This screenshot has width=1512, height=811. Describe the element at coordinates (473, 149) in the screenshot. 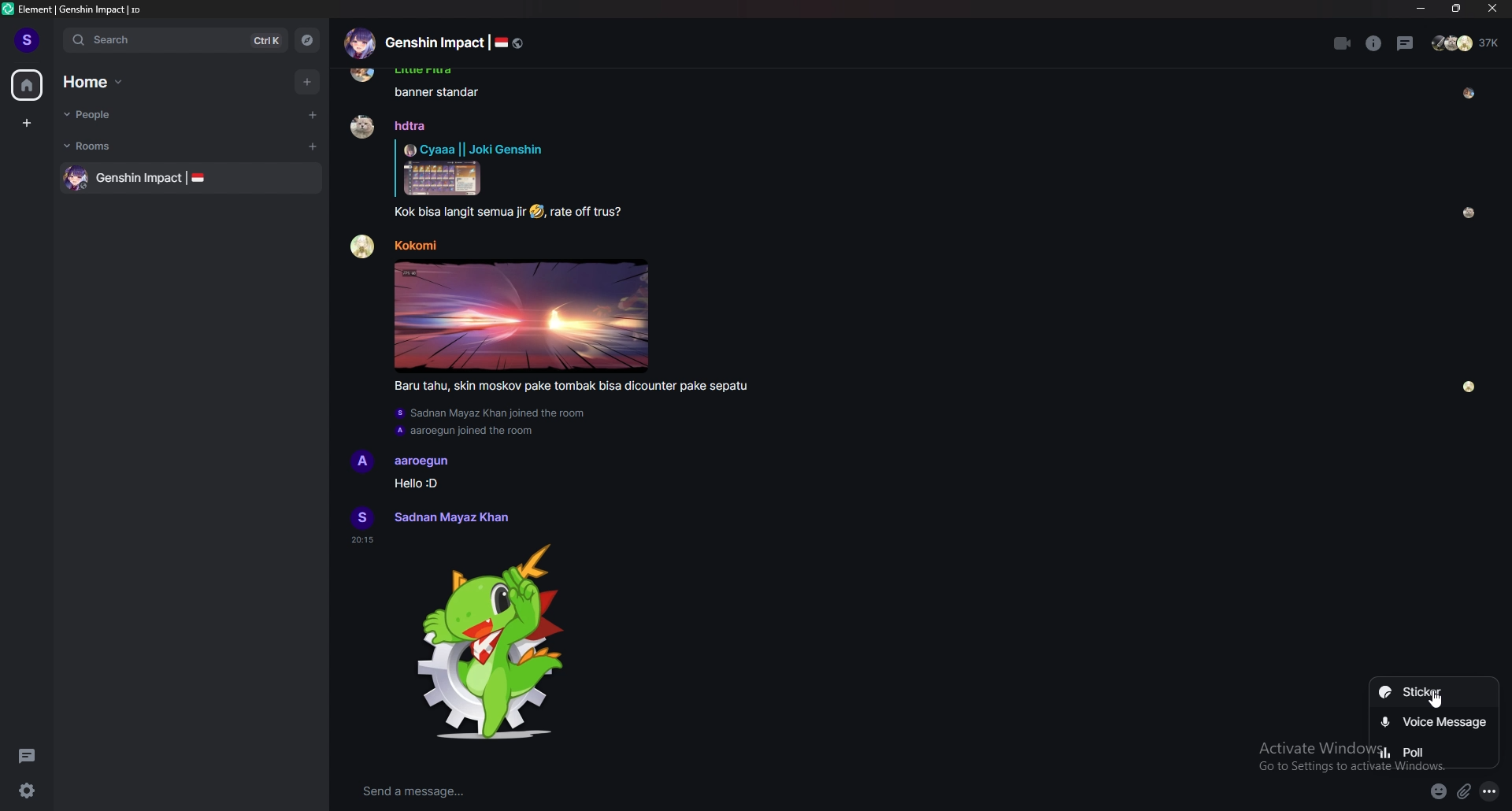

I see `Cyaaa || Joki Genshin` at that location.